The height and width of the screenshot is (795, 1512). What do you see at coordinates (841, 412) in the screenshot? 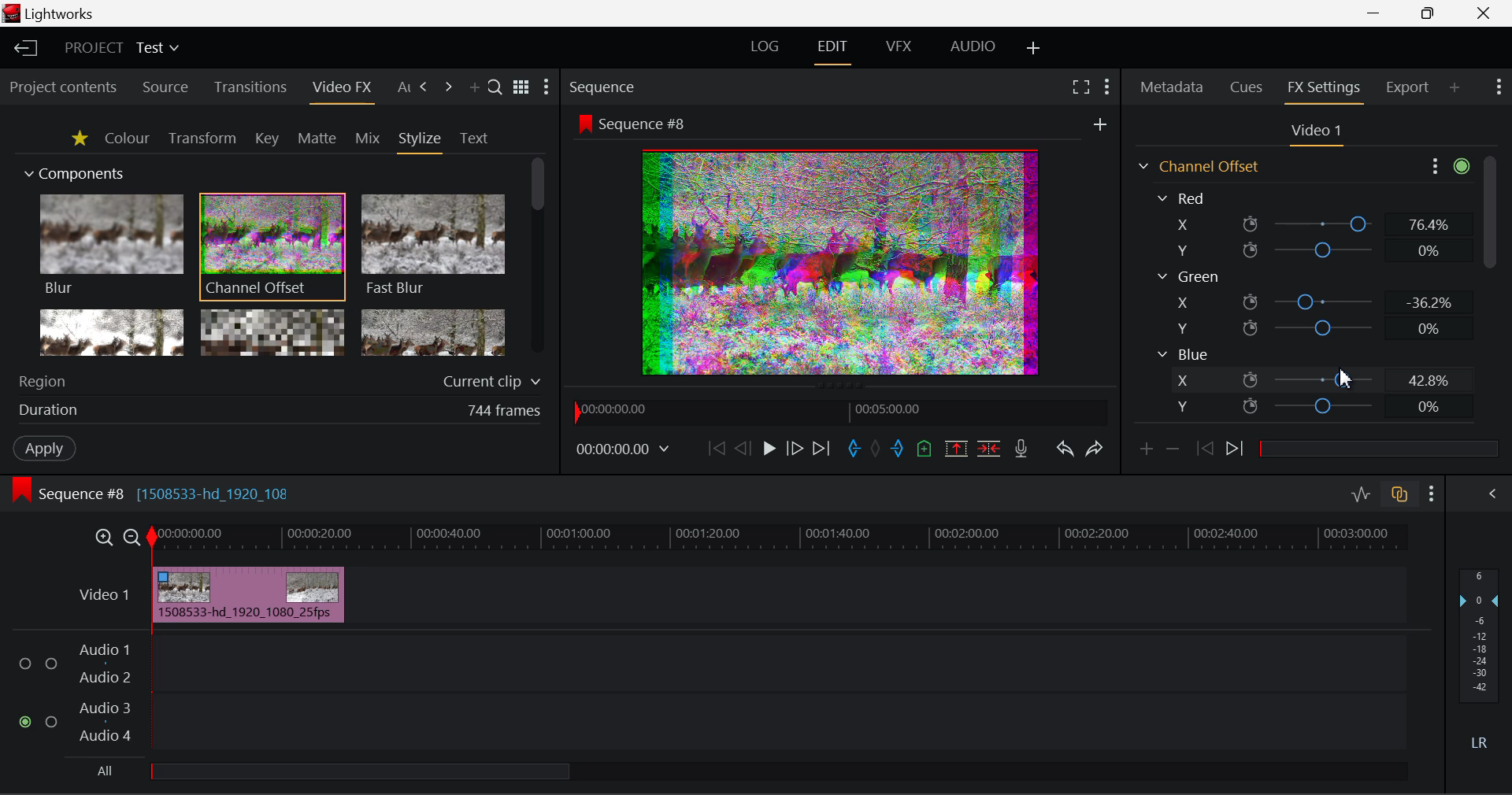
I see `Project Timeline Navigator` at bounding box center [841, 412].